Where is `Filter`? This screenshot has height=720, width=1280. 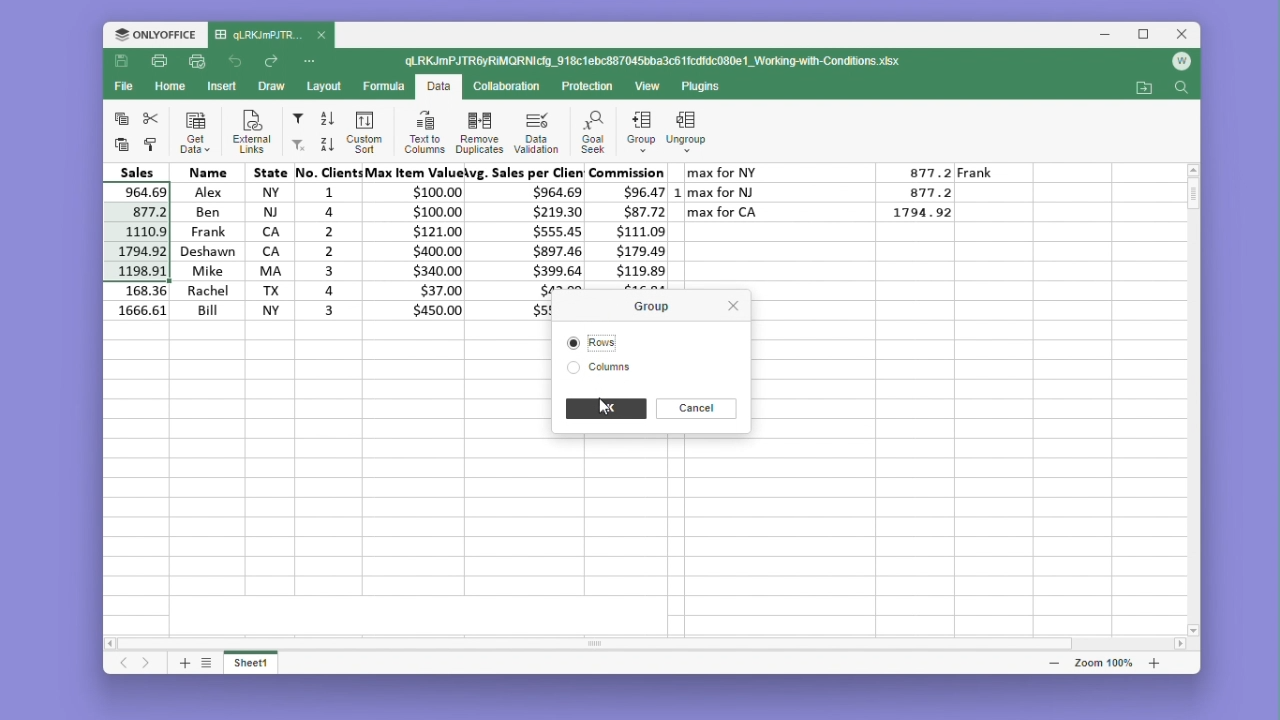
Filter is located at coordinates (297, 119).